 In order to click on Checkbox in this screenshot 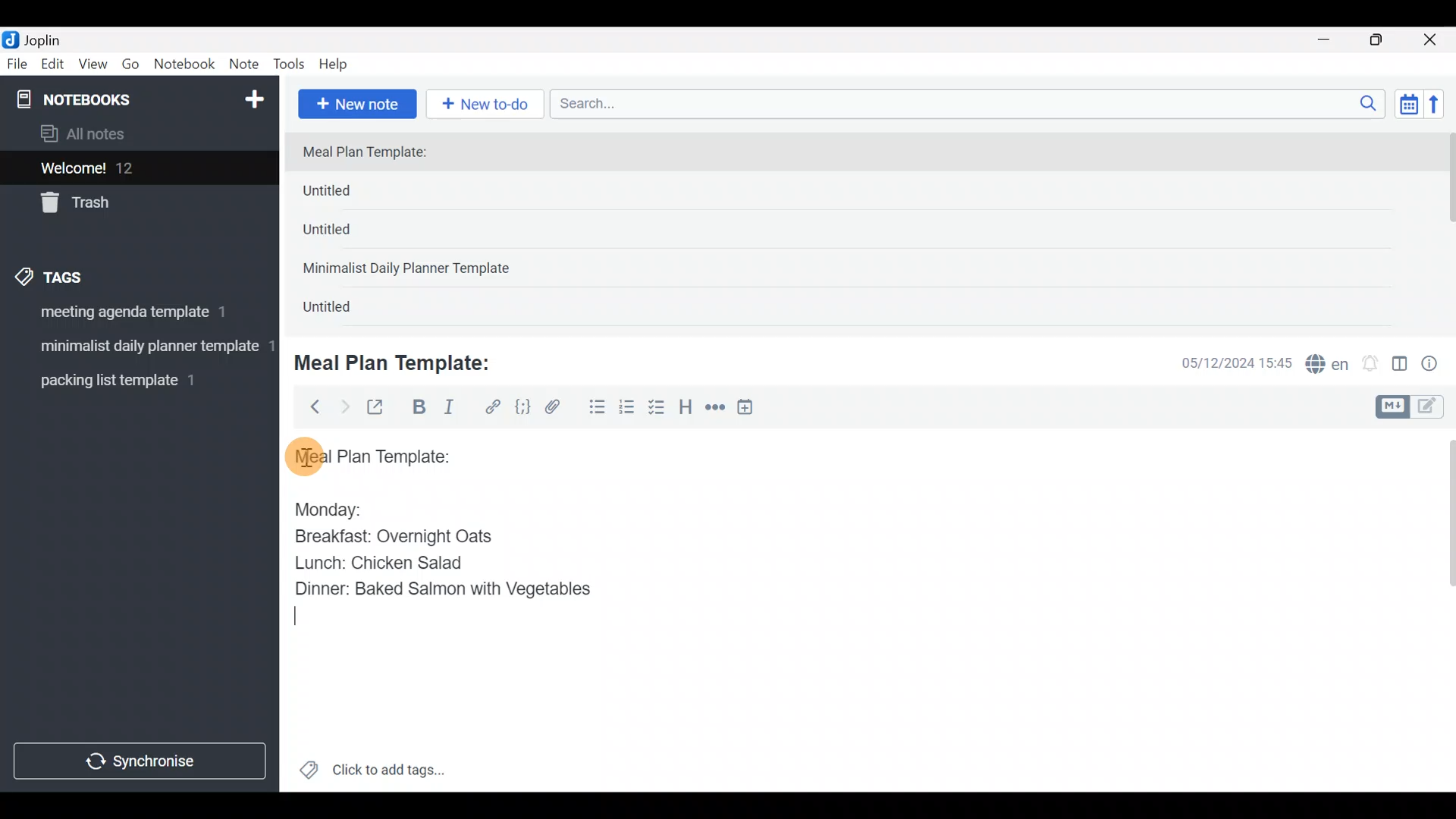, I will do `click(658, 409)`.